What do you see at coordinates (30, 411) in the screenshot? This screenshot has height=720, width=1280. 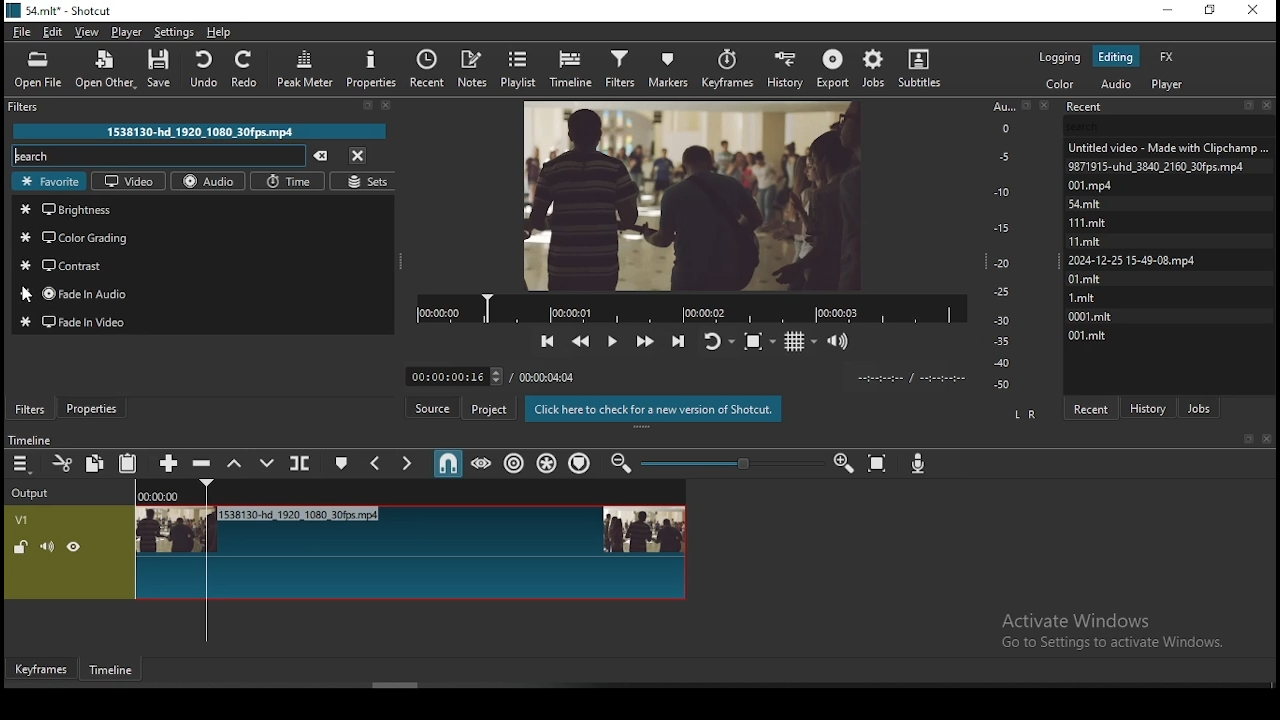 I see `filters` at bounding box center [30, 411].